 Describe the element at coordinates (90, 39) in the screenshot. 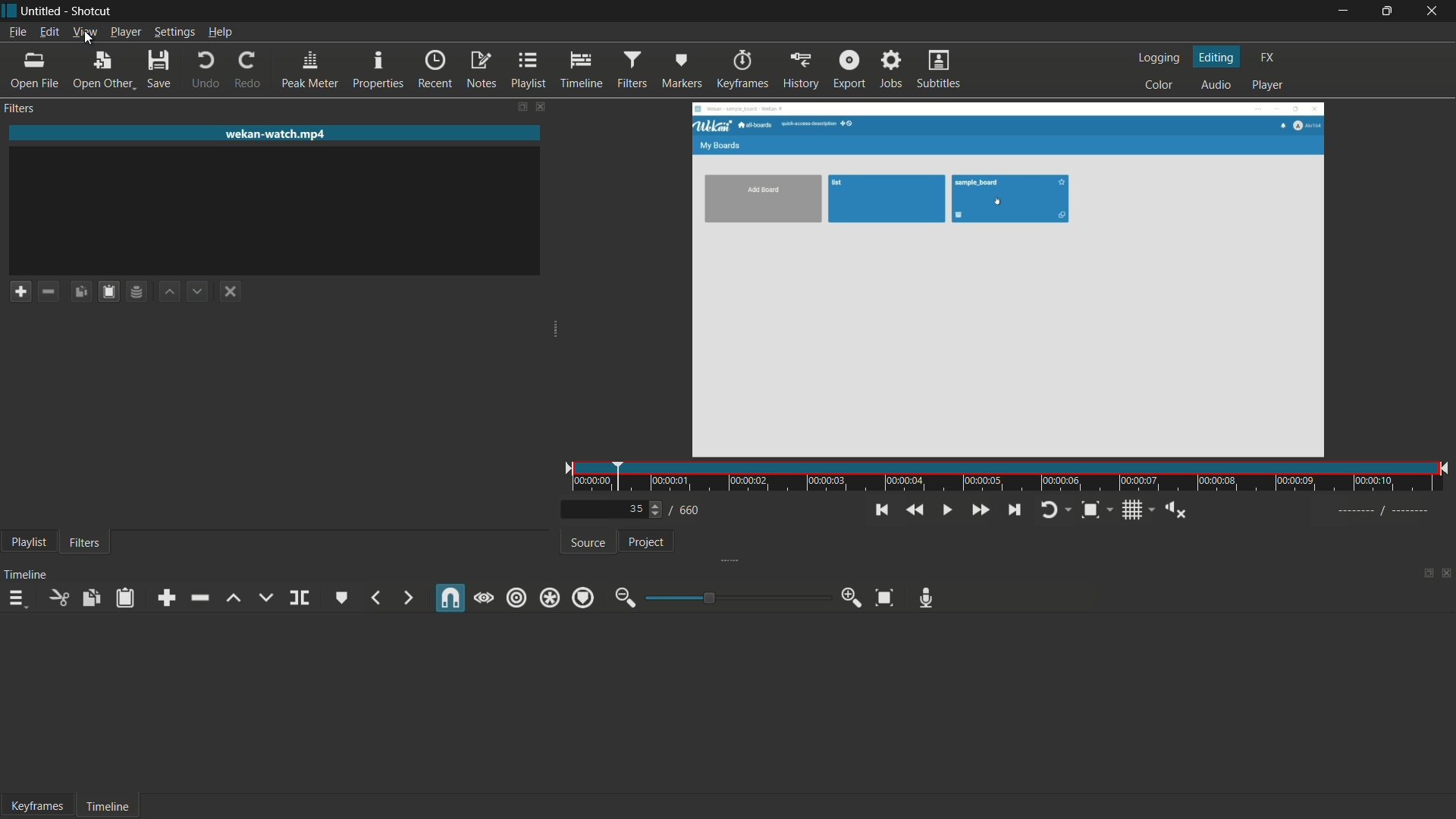

I see `Cursor` at that location.